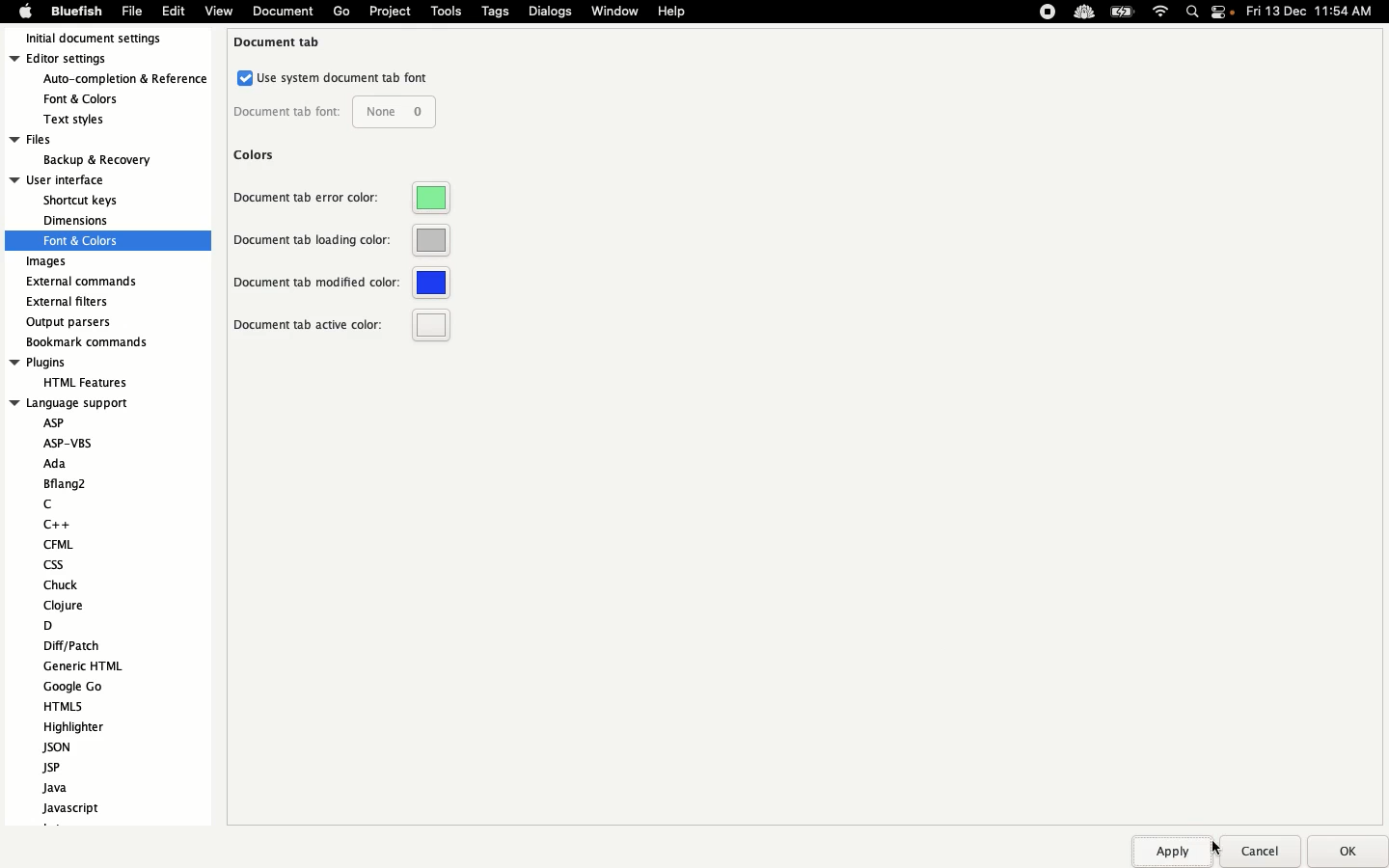 This screenshot has width=1389, height=868. Describe the element at coordinates (447, 11) in the screenshot. I see `Tools` at that location.